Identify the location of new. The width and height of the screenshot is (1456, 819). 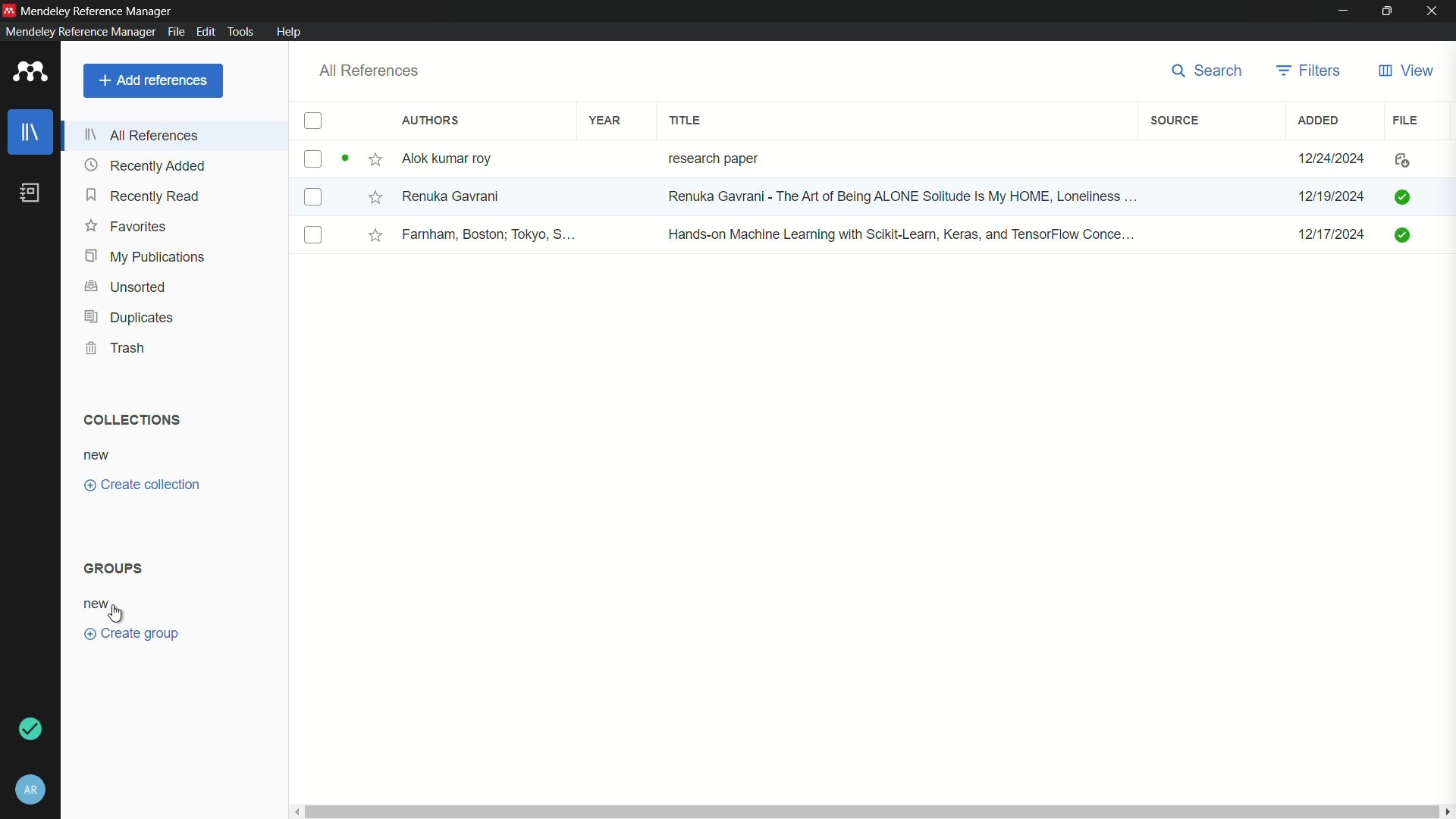
(97, 455).